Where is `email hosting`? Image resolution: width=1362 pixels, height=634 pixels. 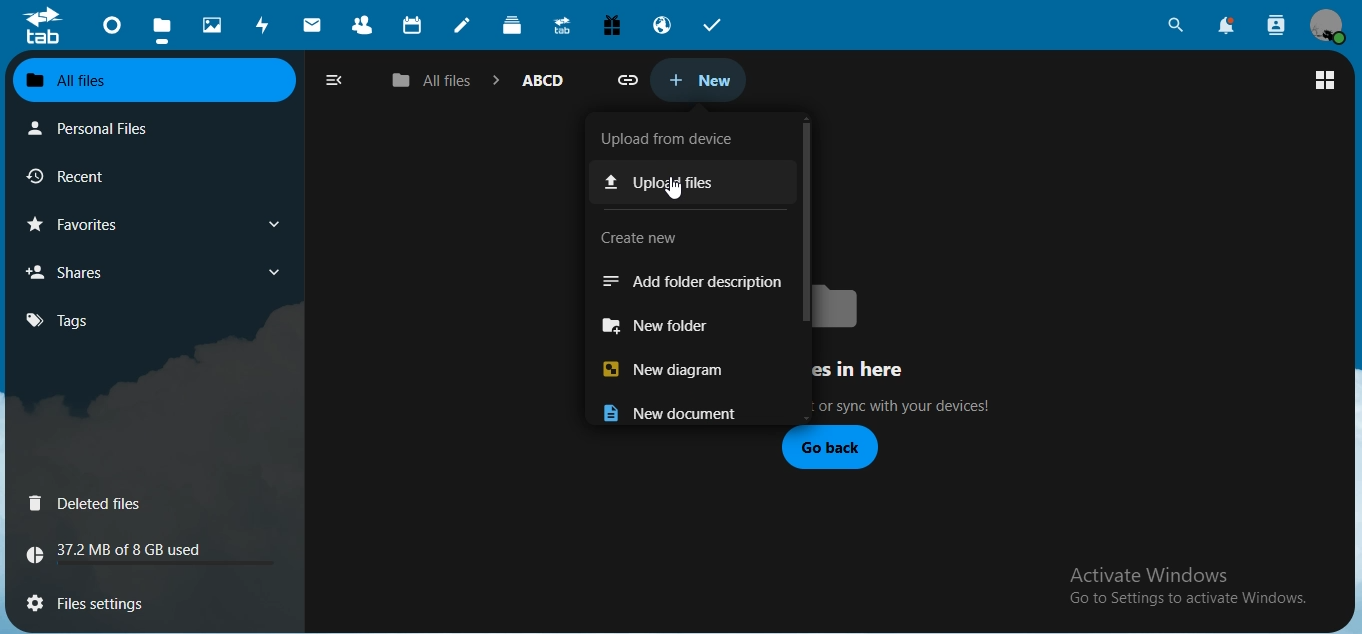
email hosting is located at coordinates (664, 27).